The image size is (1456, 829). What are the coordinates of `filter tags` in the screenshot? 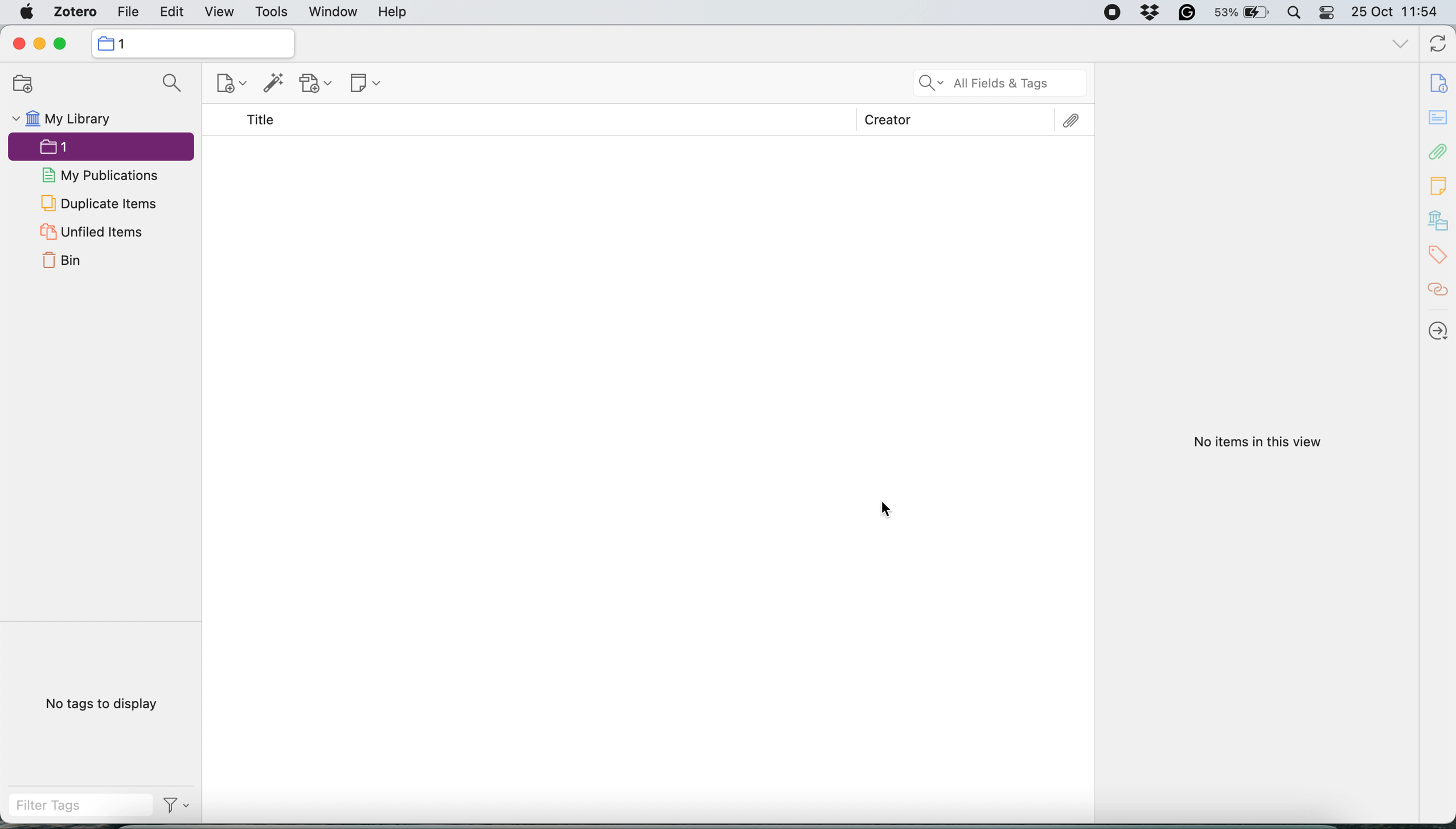 It's located at (77, 809).